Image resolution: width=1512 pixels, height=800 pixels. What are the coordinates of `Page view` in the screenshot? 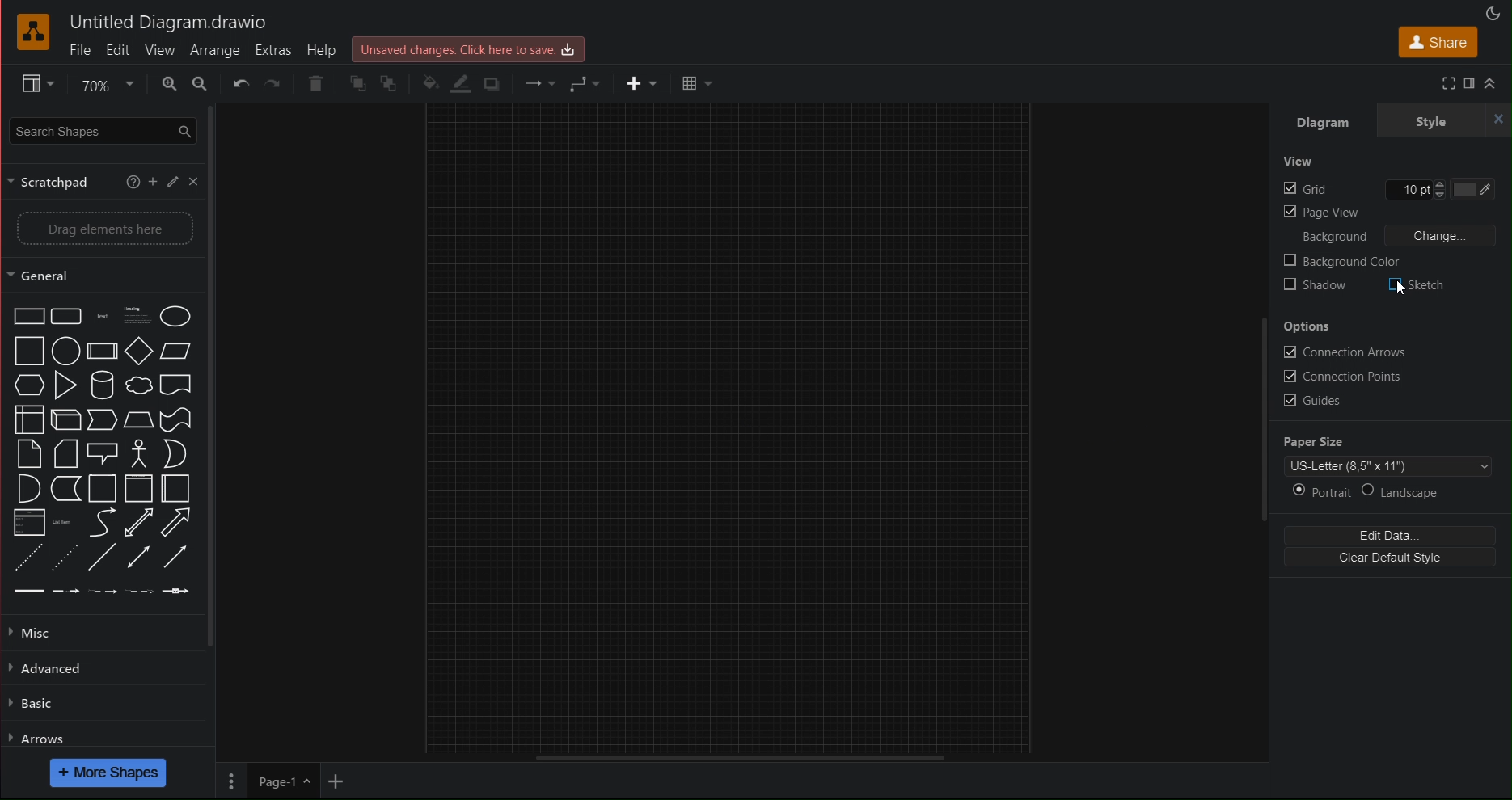 It's located at (1323, 212).